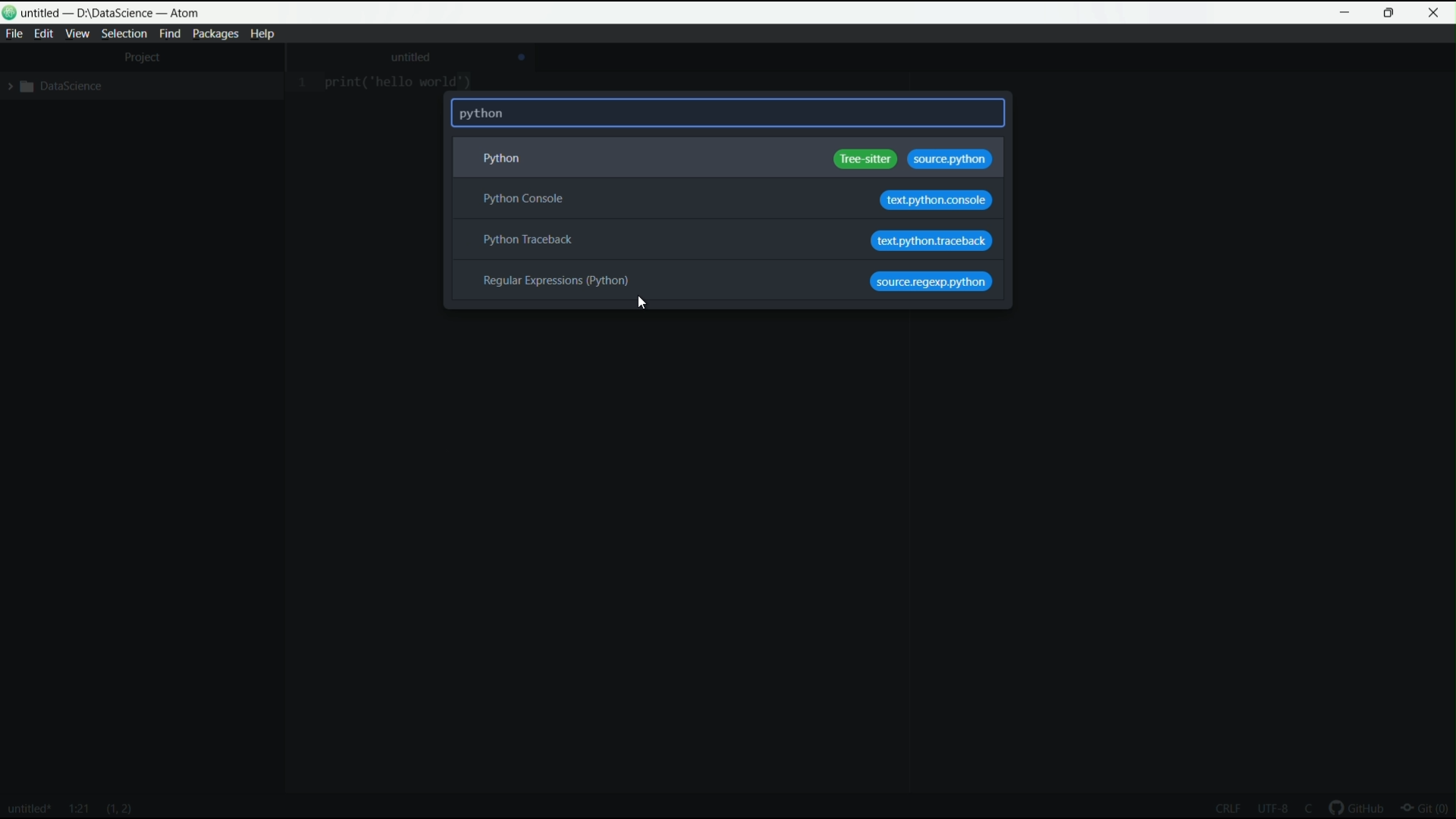 Image resolution: width=1456 pixels, height=819 pixels. Describe the element at coordinates (1225, 807) in the screenshot. I see `end line of code sequence` at that location.